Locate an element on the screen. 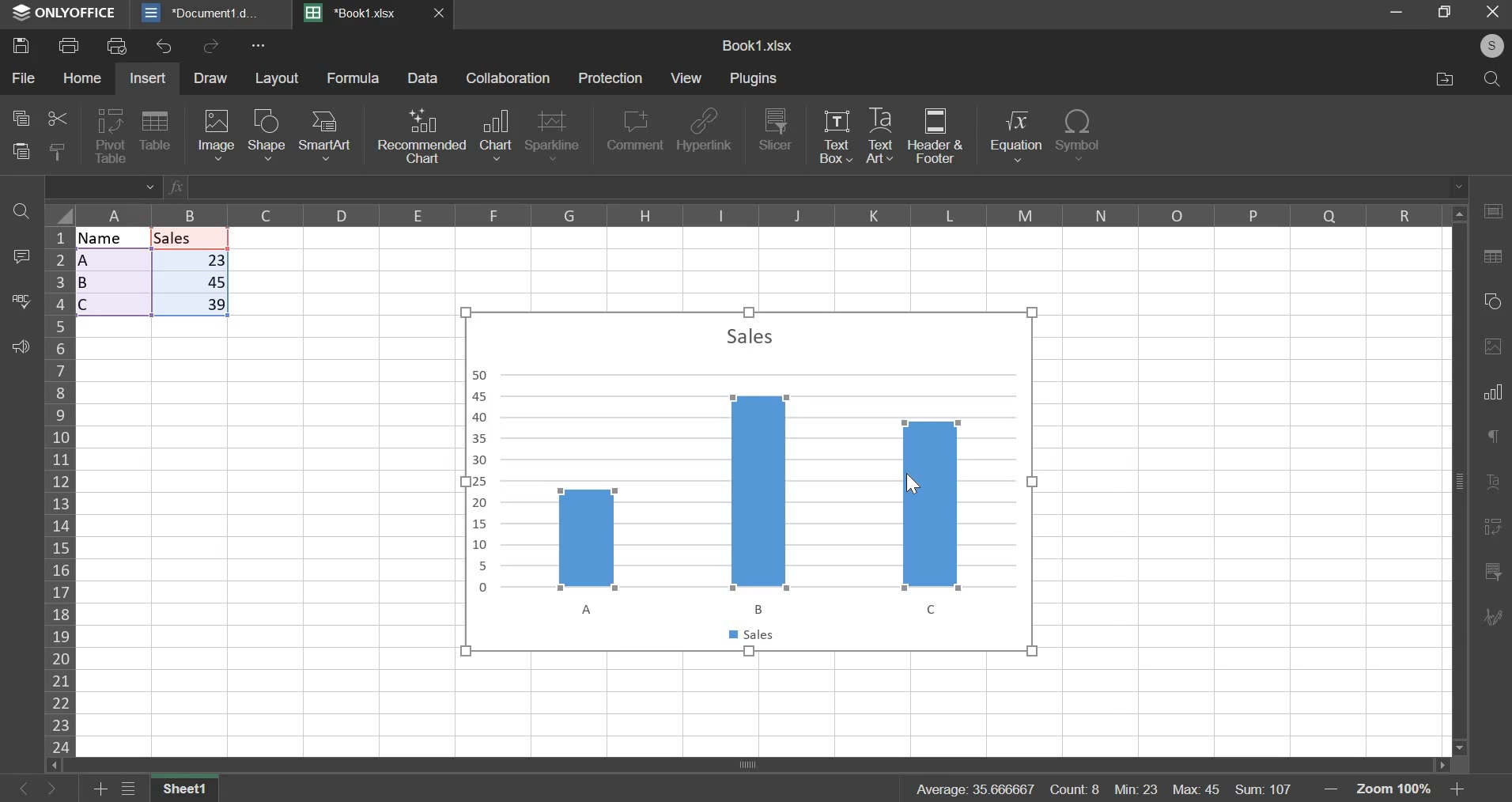 This screenshot has height=802, width=1512. view is located at coordinates (686, 78).